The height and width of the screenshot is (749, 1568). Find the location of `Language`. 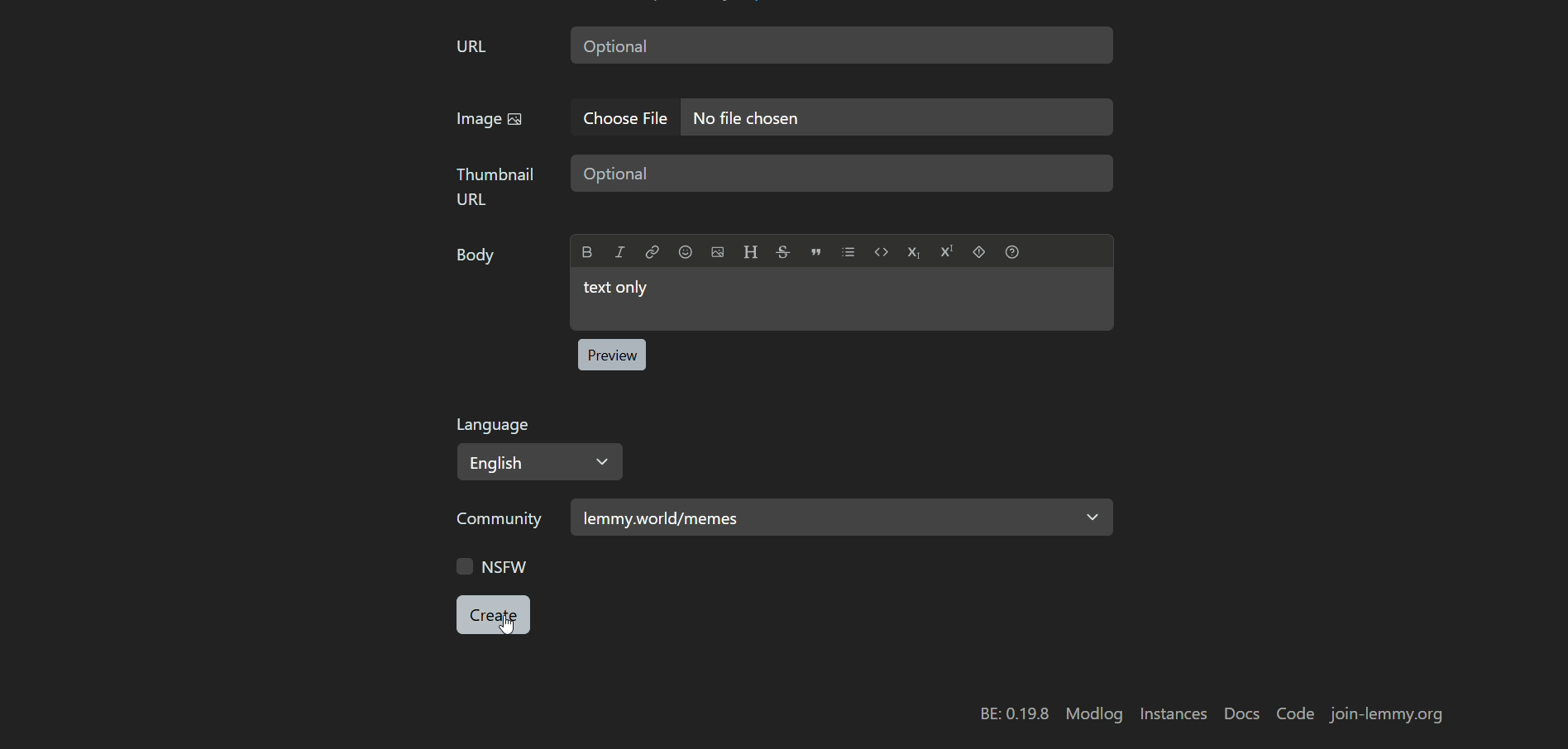

Language is located at coordinates (495, 427).